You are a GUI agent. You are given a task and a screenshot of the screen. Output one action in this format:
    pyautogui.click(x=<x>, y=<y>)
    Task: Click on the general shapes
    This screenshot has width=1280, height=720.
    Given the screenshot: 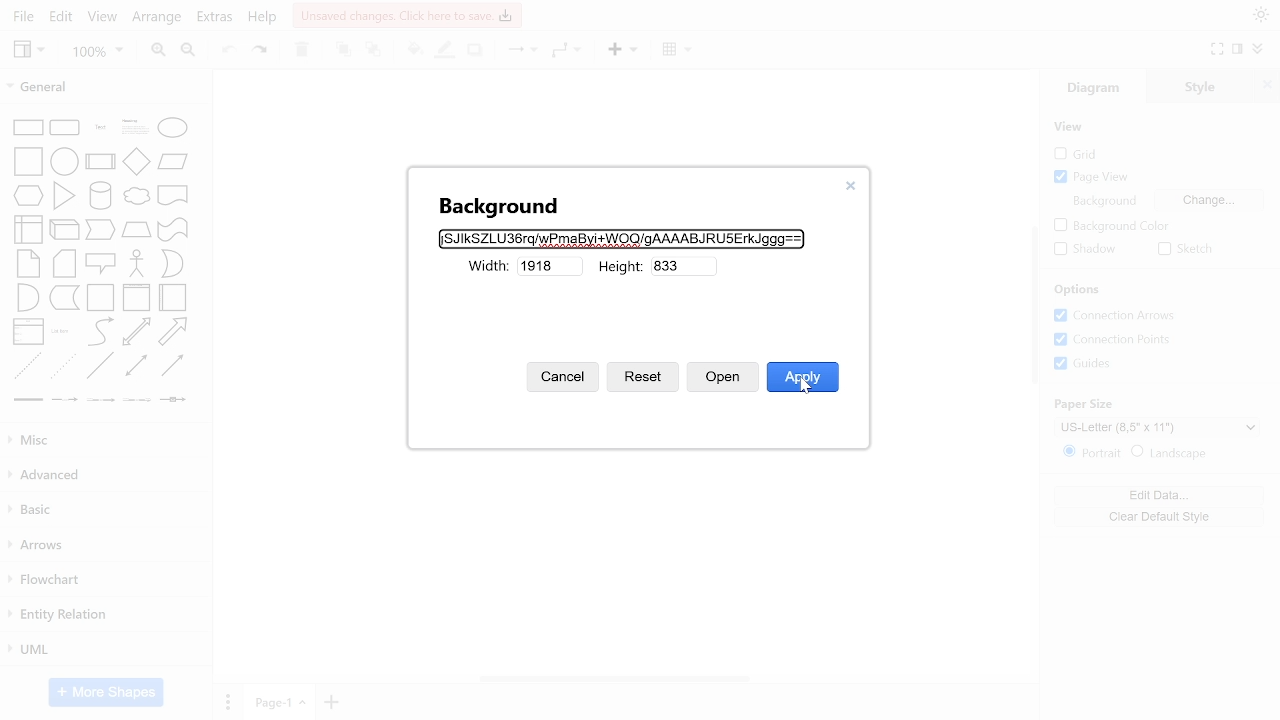 What is the action you would take?
    pyautogui.click(x=63, y=226)
    